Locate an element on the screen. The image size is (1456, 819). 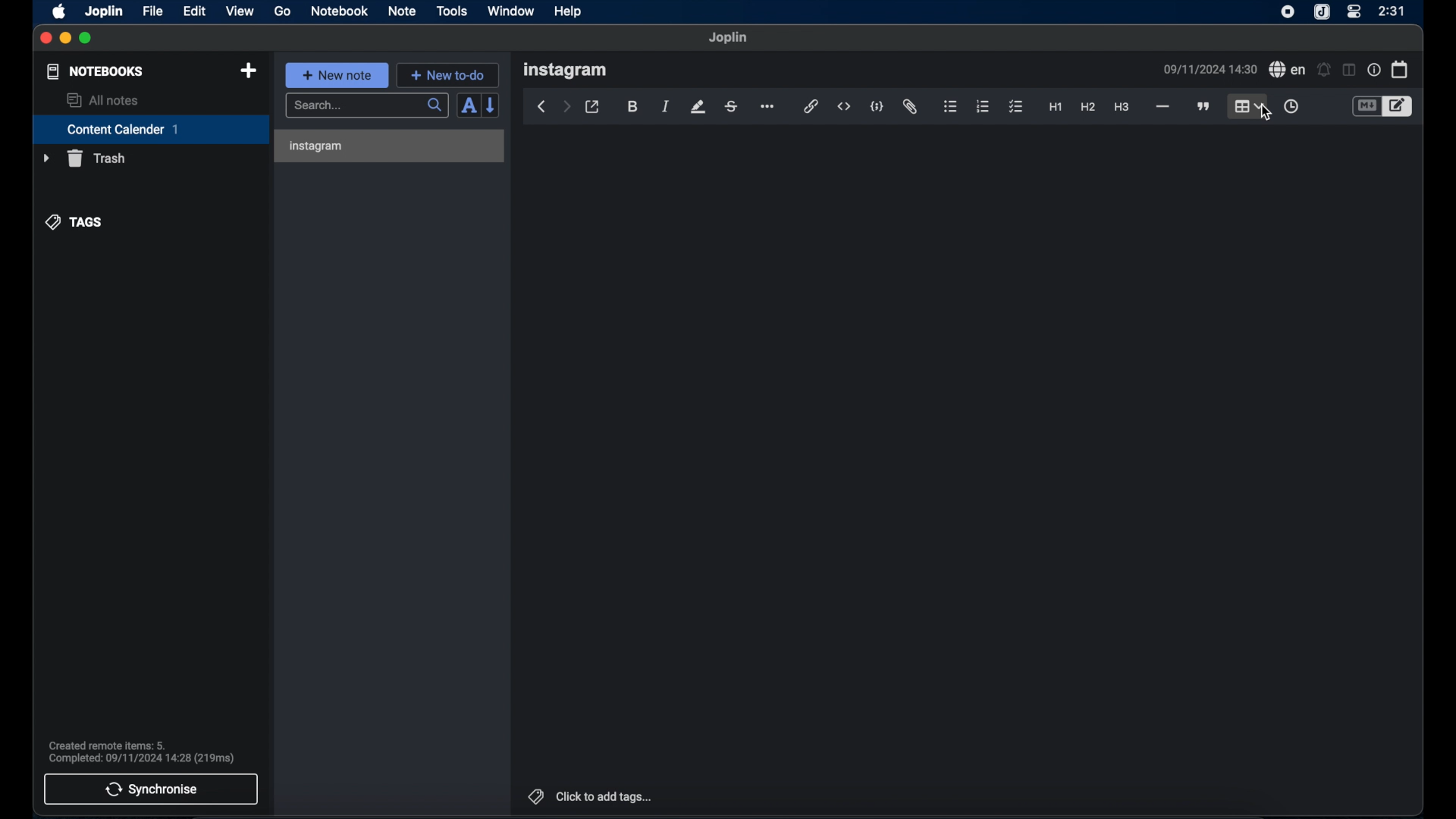
maximize is located at coordinates (86, 39).